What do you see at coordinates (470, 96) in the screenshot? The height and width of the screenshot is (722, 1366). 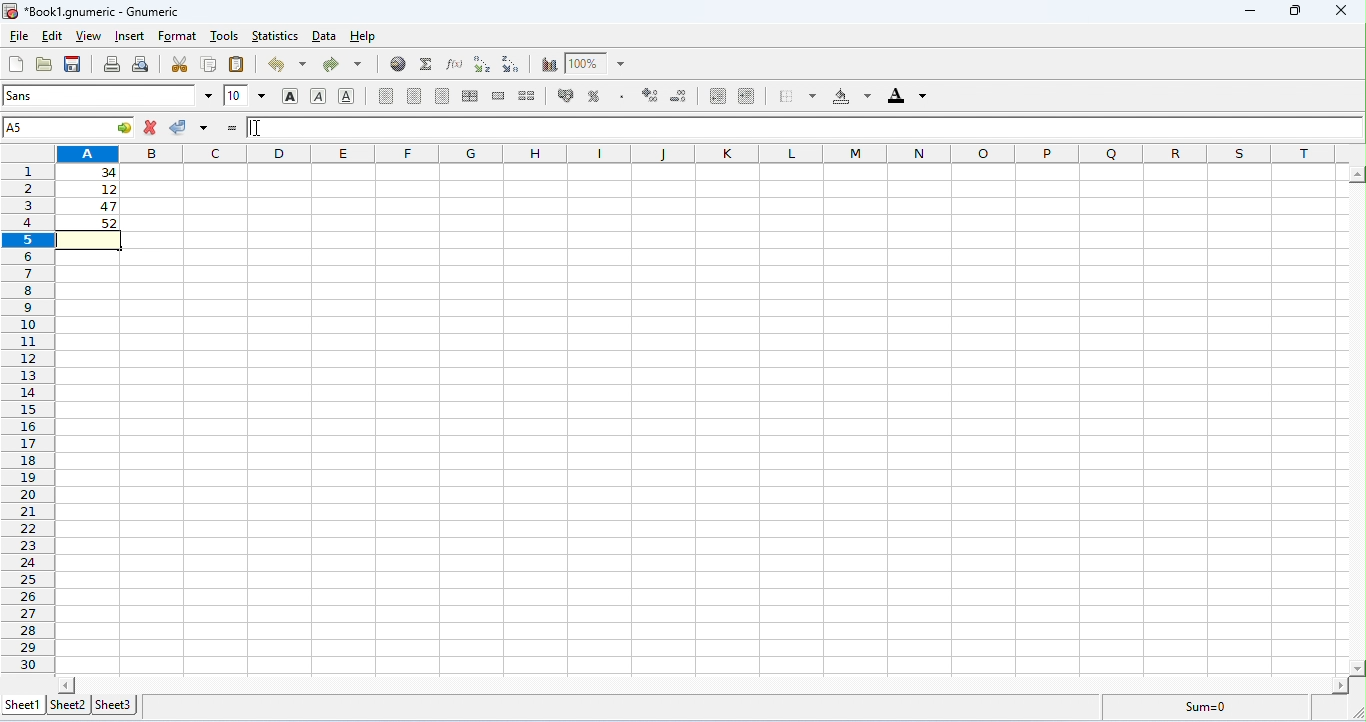 I see `center horizontally across the selection` at bounding box center [470, 96].